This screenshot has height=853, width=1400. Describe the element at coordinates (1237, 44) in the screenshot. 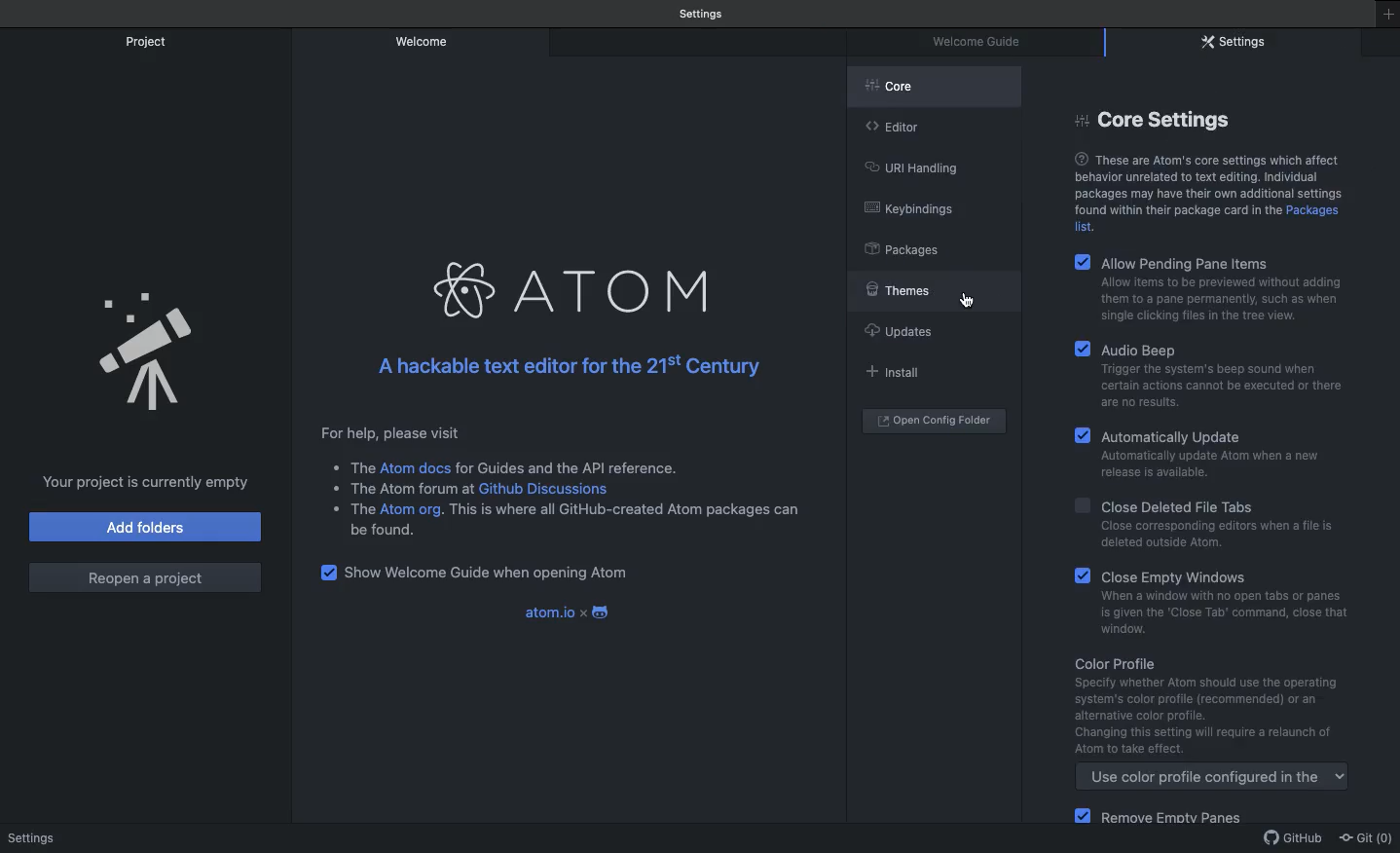

I see `Settings` at that location.